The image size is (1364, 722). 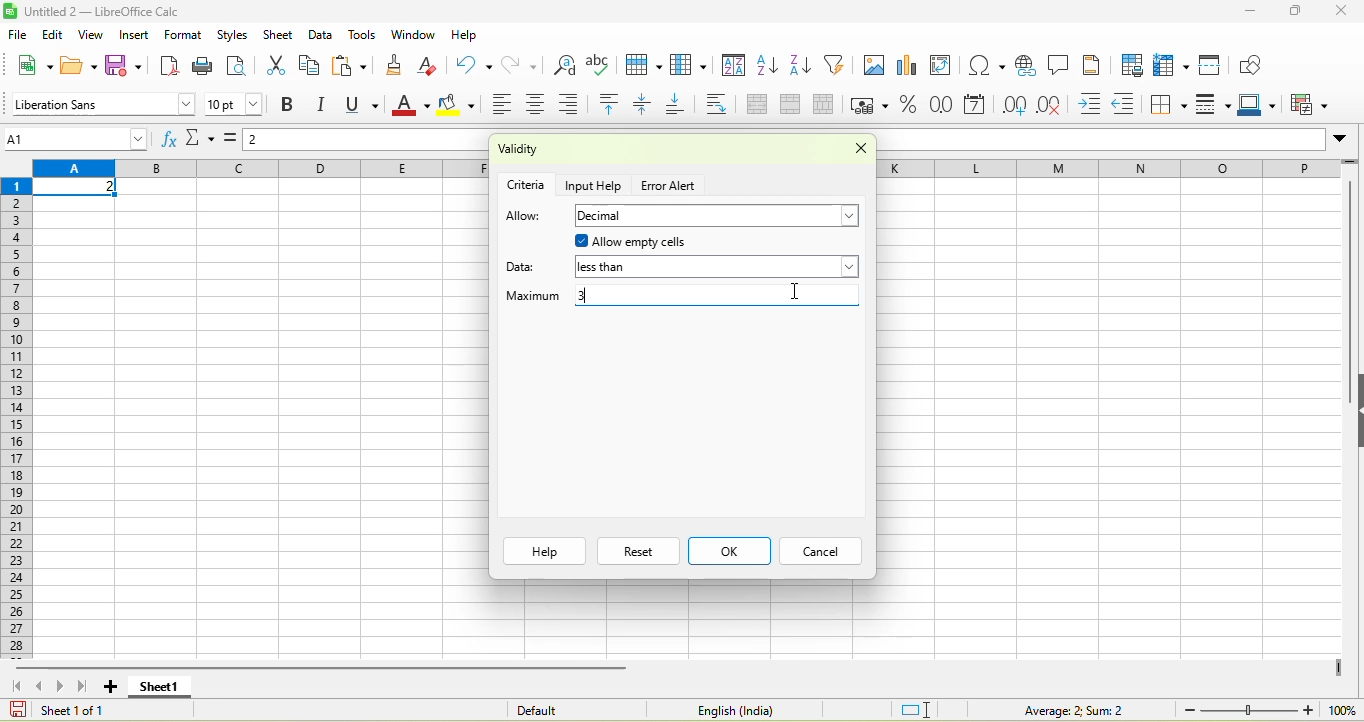 What do you see at coordinates (411, 106) in the screenshot?
I see `font color` at bounding box center [411, 106].